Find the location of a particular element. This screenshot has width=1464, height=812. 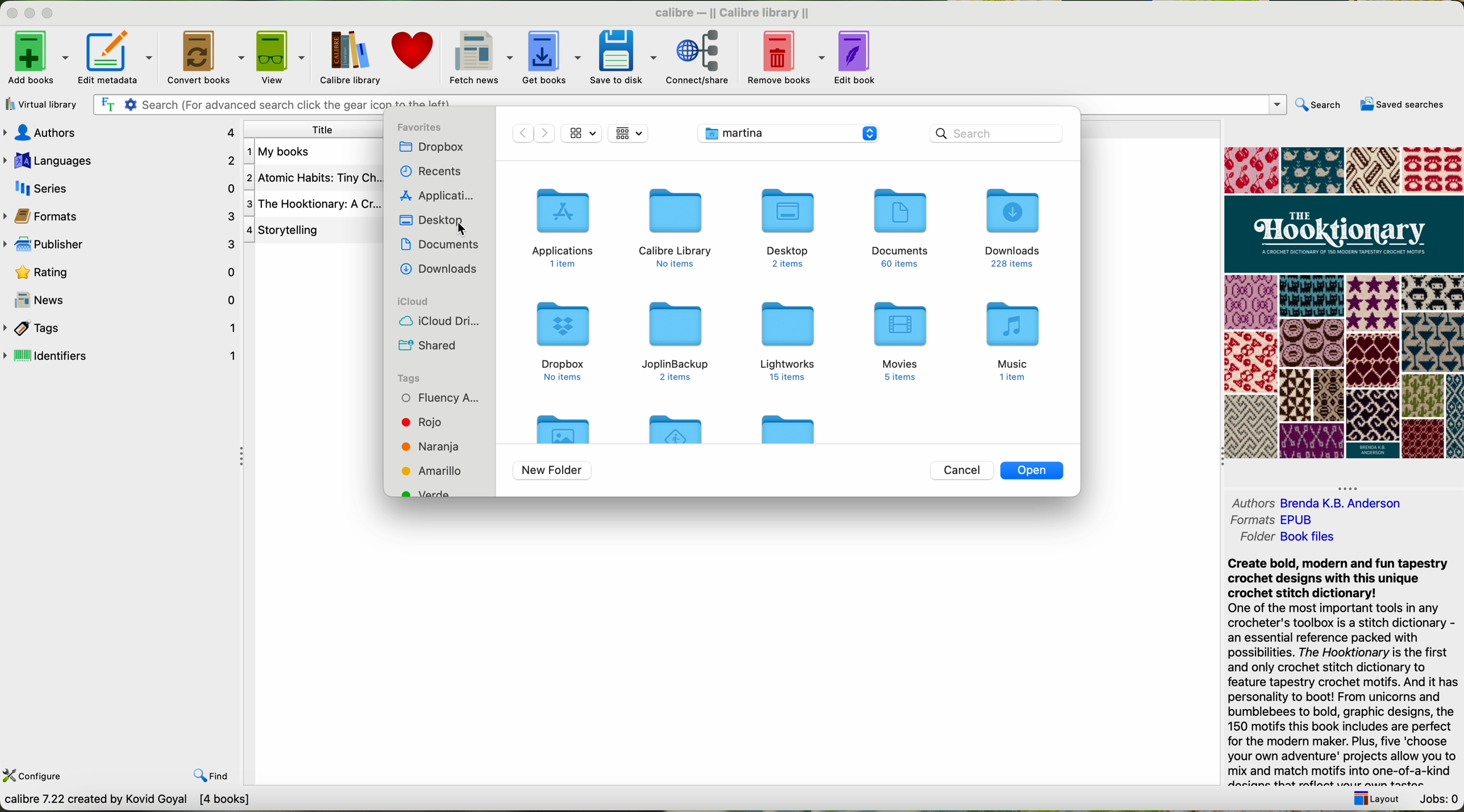

Collapse is located at coordinates (1216, 460).